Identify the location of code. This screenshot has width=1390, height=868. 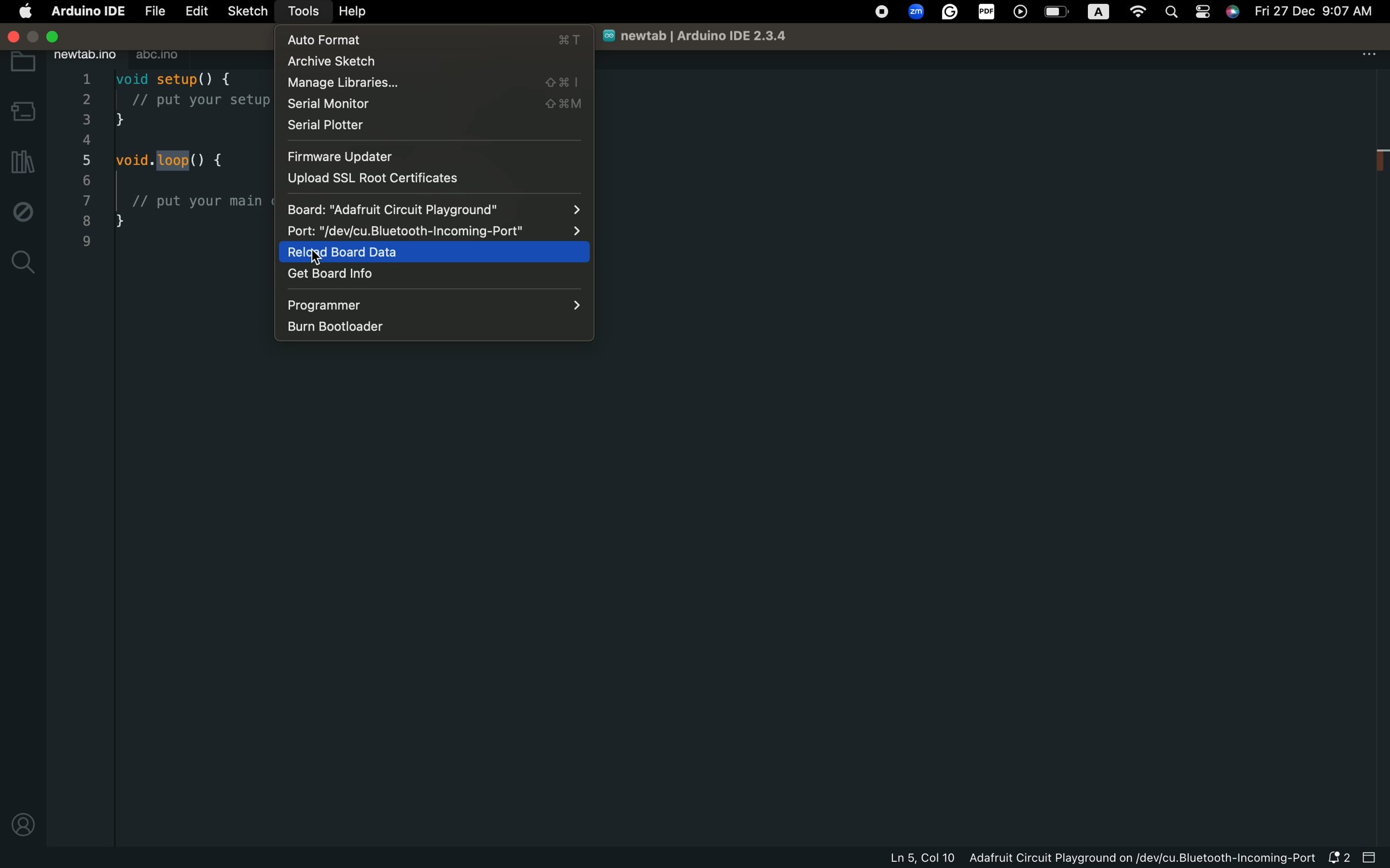
(192, 154).